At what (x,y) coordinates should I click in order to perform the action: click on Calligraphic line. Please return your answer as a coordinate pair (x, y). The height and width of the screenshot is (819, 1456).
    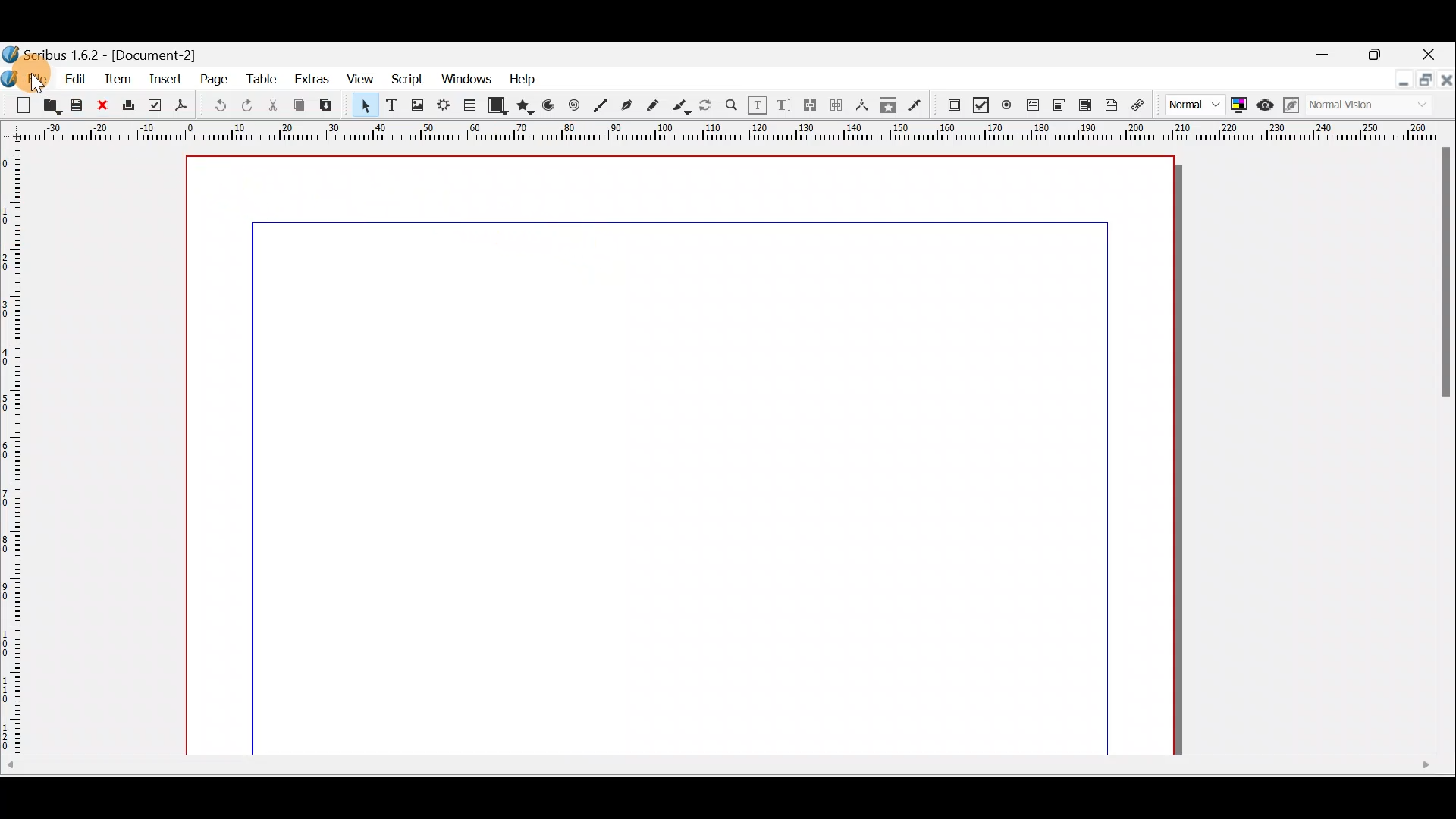
    Looking at the image, I should click on (683, 107).